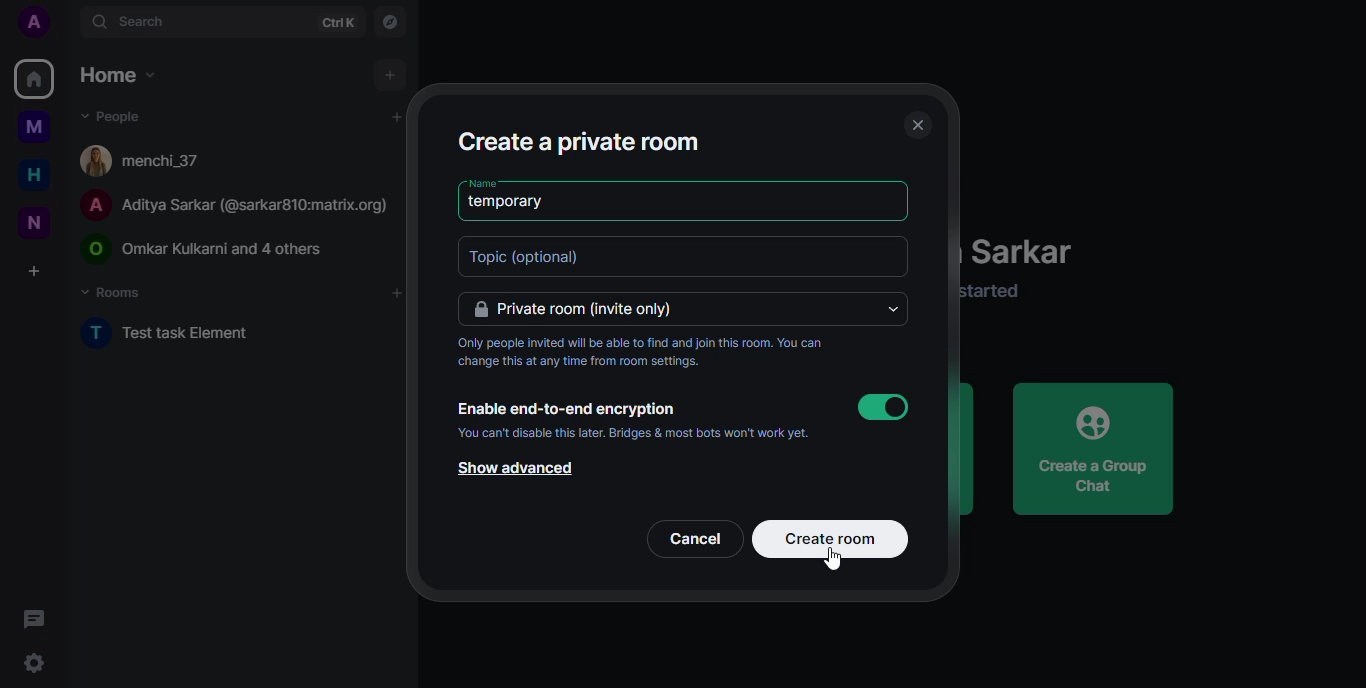 This screenshot has height=688, width=1366. I want to click on 6] menchi_37, so click(142, 161).